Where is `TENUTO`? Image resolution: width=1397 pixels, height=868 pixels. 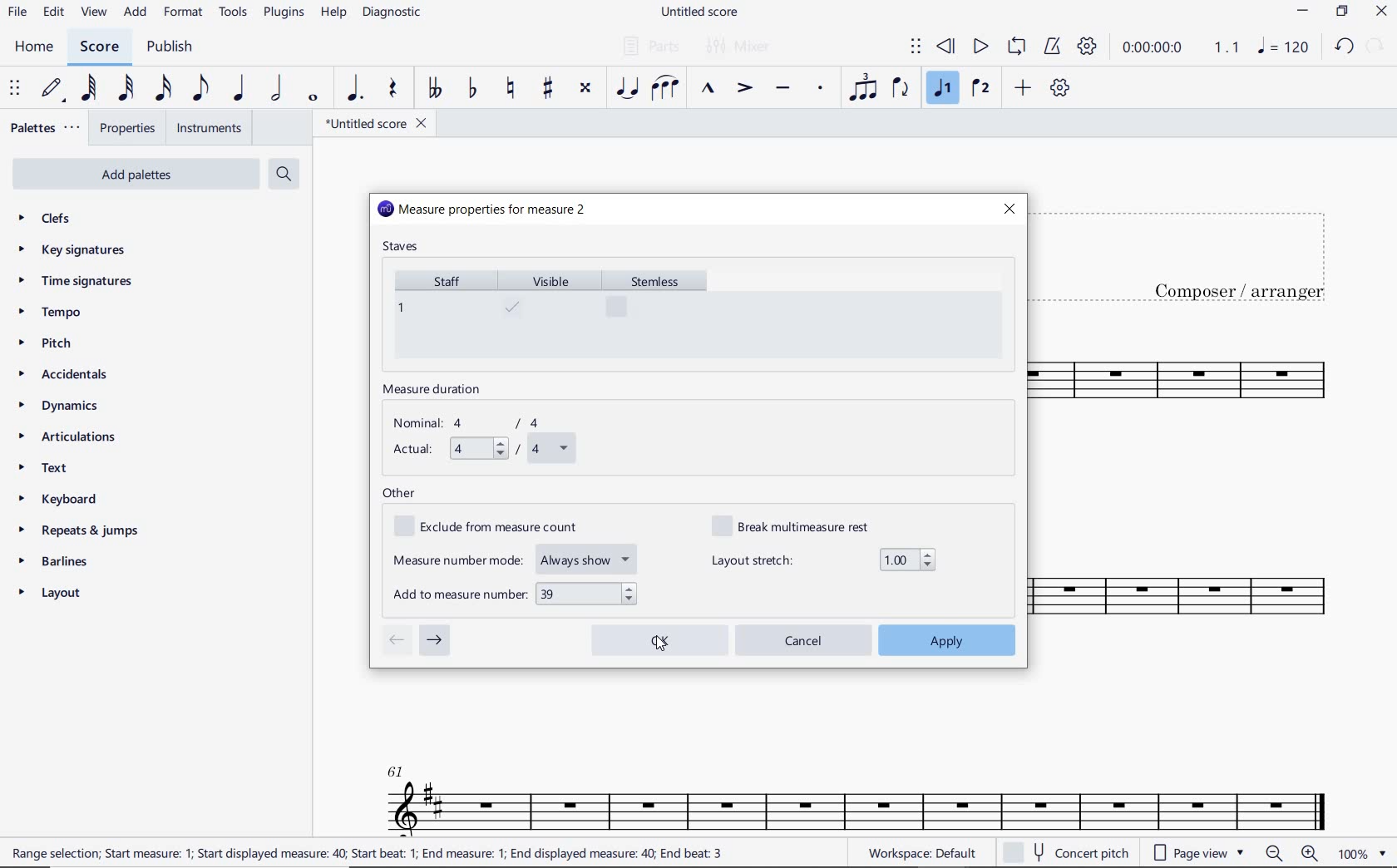 TENUTO is located at coordinates (782, 90).